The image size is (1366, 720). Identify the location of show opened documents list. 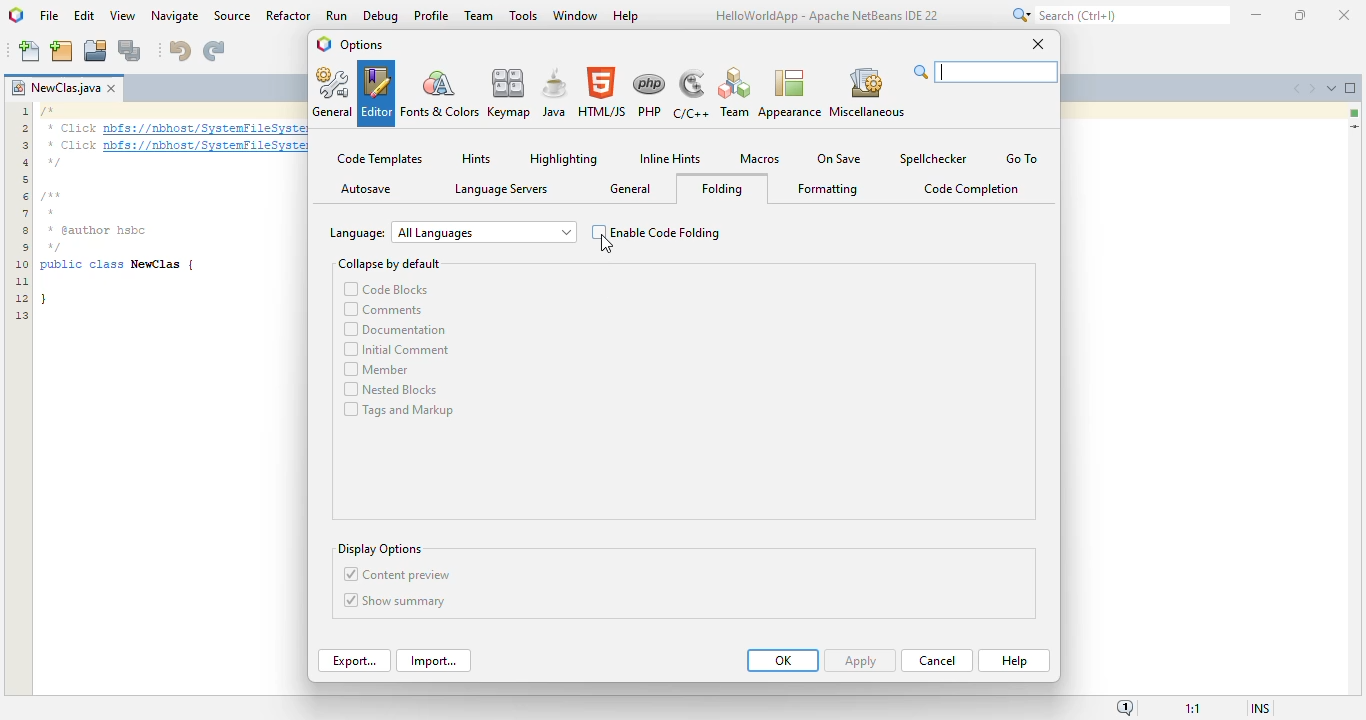
(1330, 87).